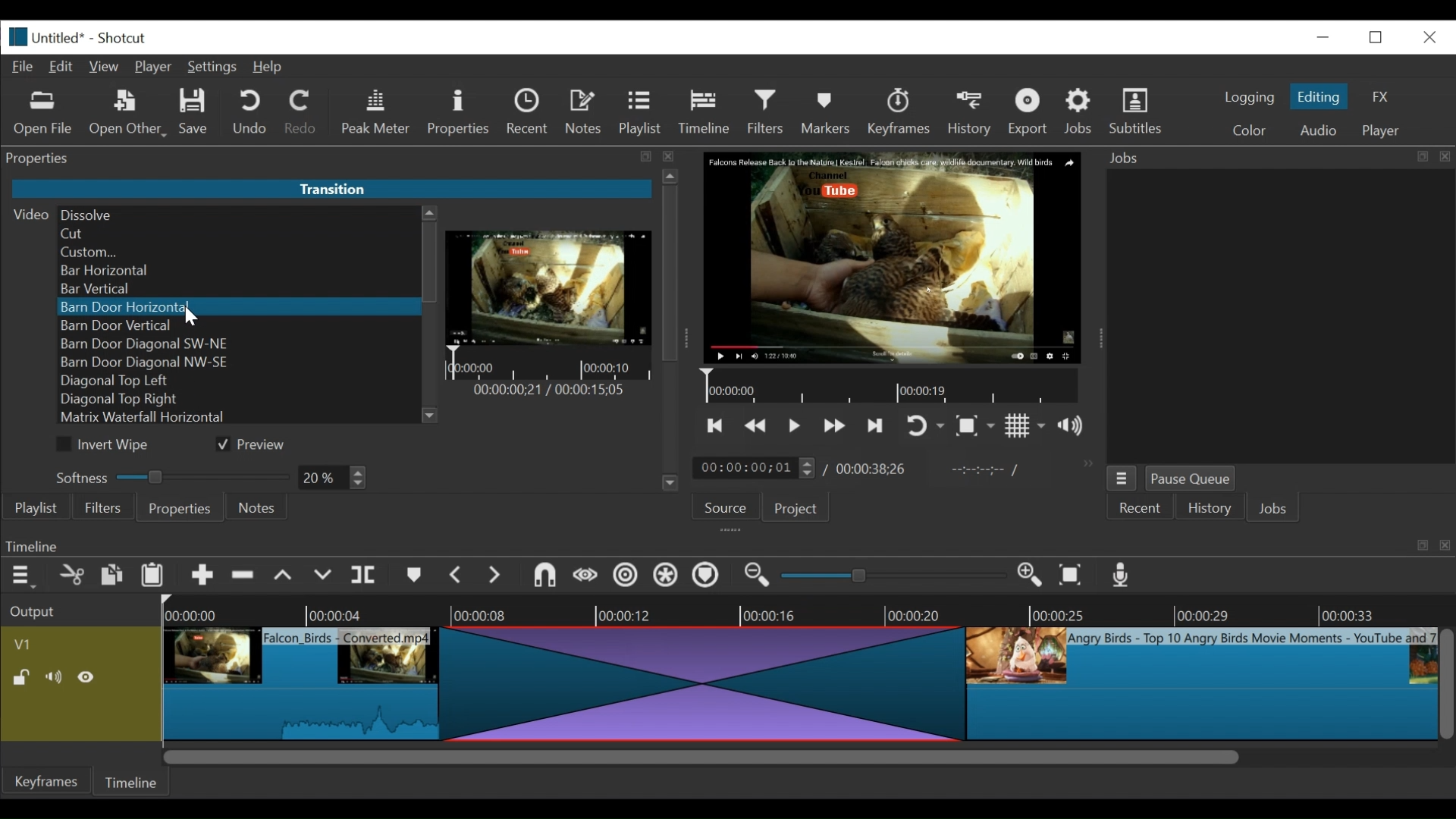  What do you see at coordinates (1141, 509) in the screenshot?
I see `Recent` at bounding box center [1141, 509].